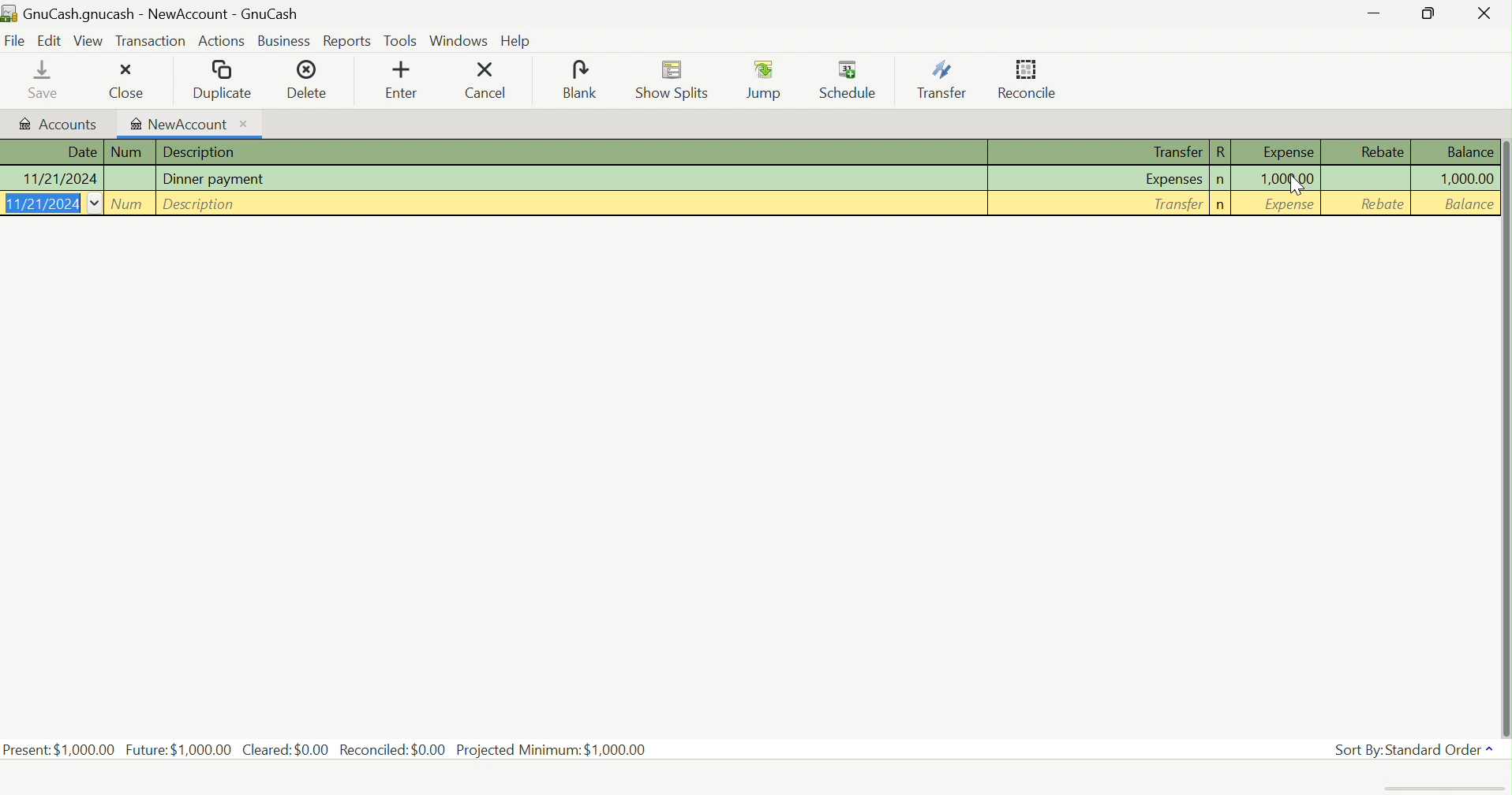 This screenshot has width=1512, height=795. Describe the element at coordinates (150, 39) in the screenshot. I see `Transaction` at that location.